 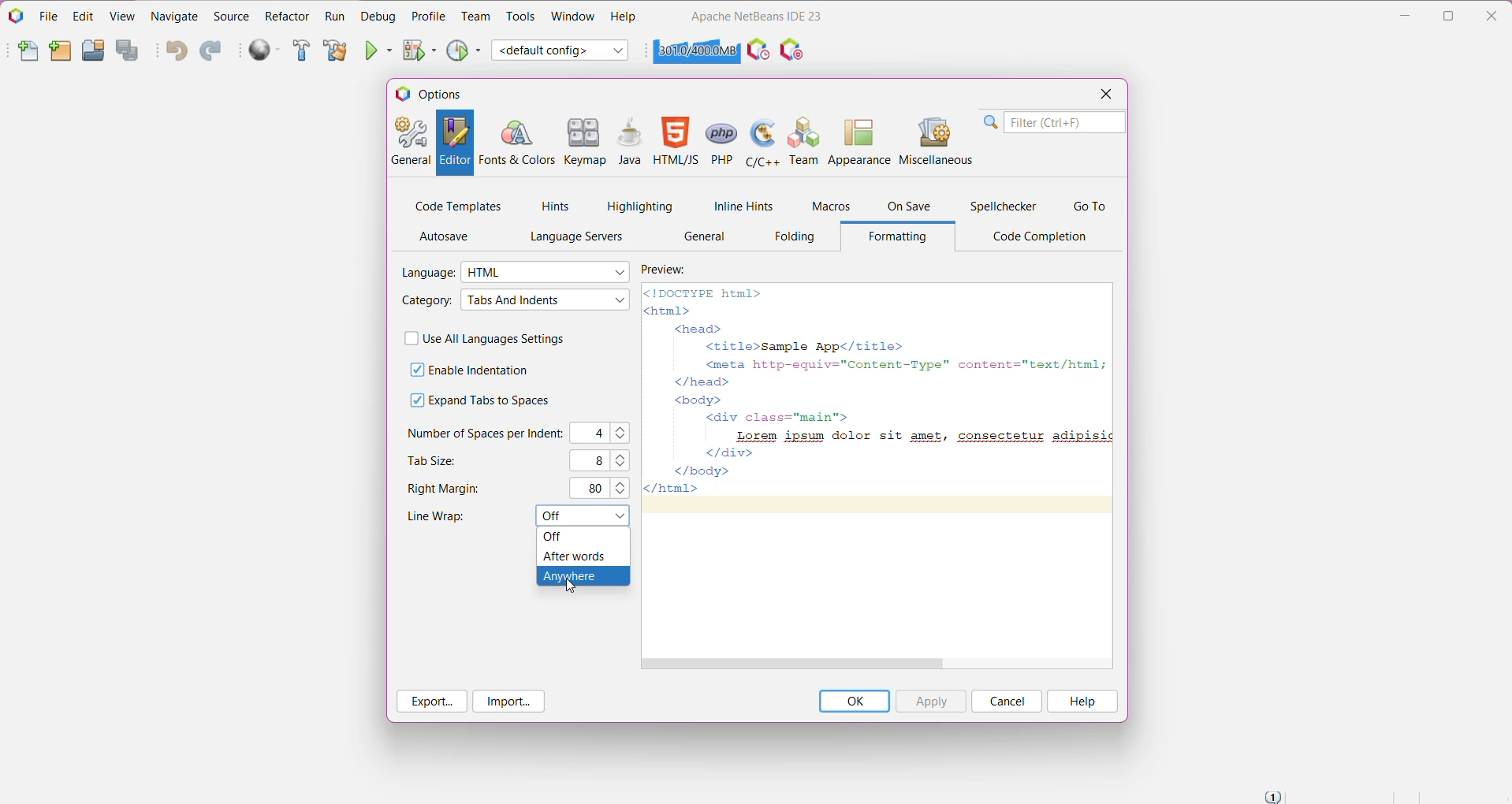 I want to click on Run All, so click(x=266, y=50).